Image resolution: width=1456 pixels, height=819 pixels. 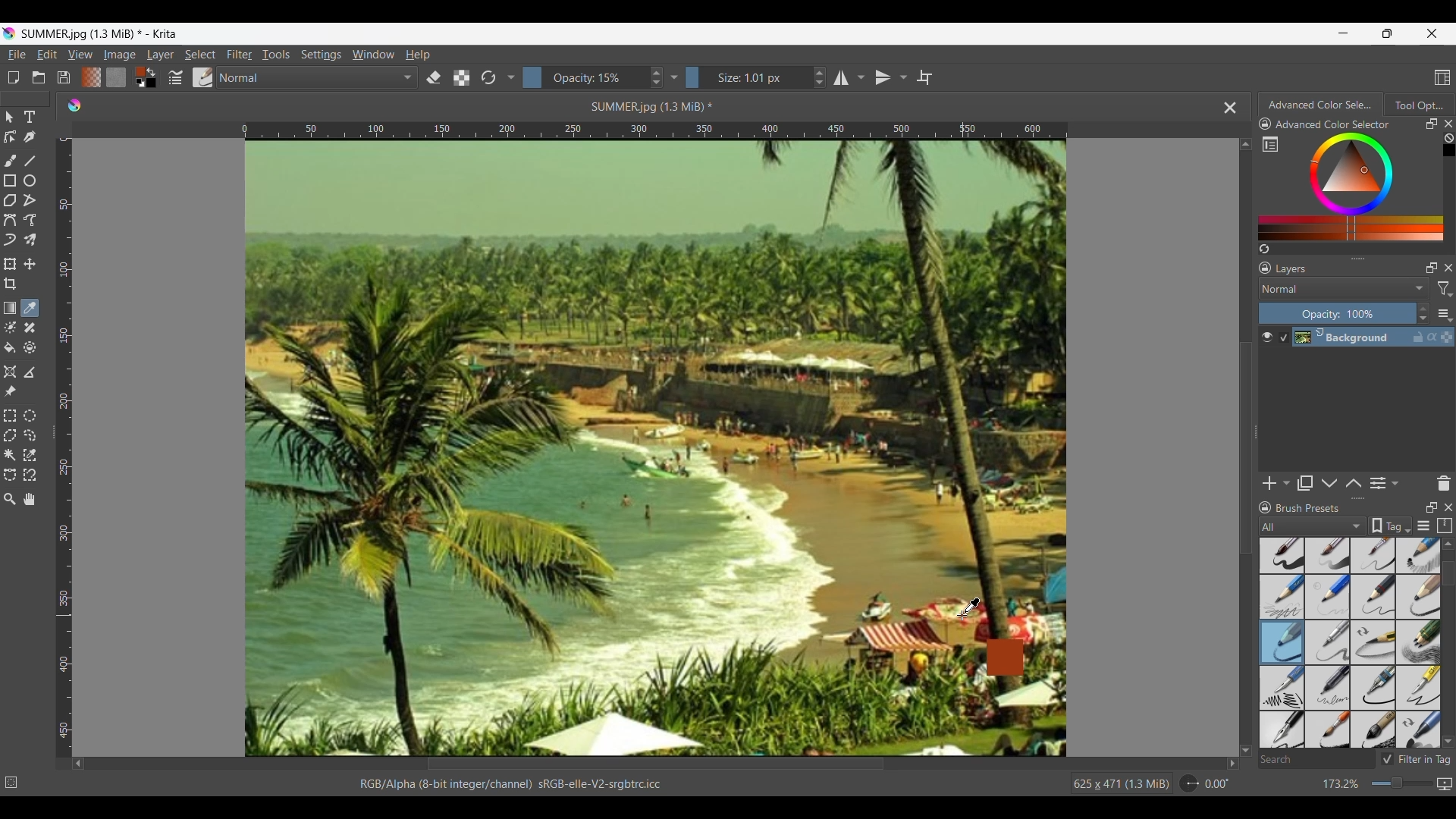 What do you see at coordinates (30, 220) in the screenshot?
I see `Freehand path tool` at bounding box center [30, 220].